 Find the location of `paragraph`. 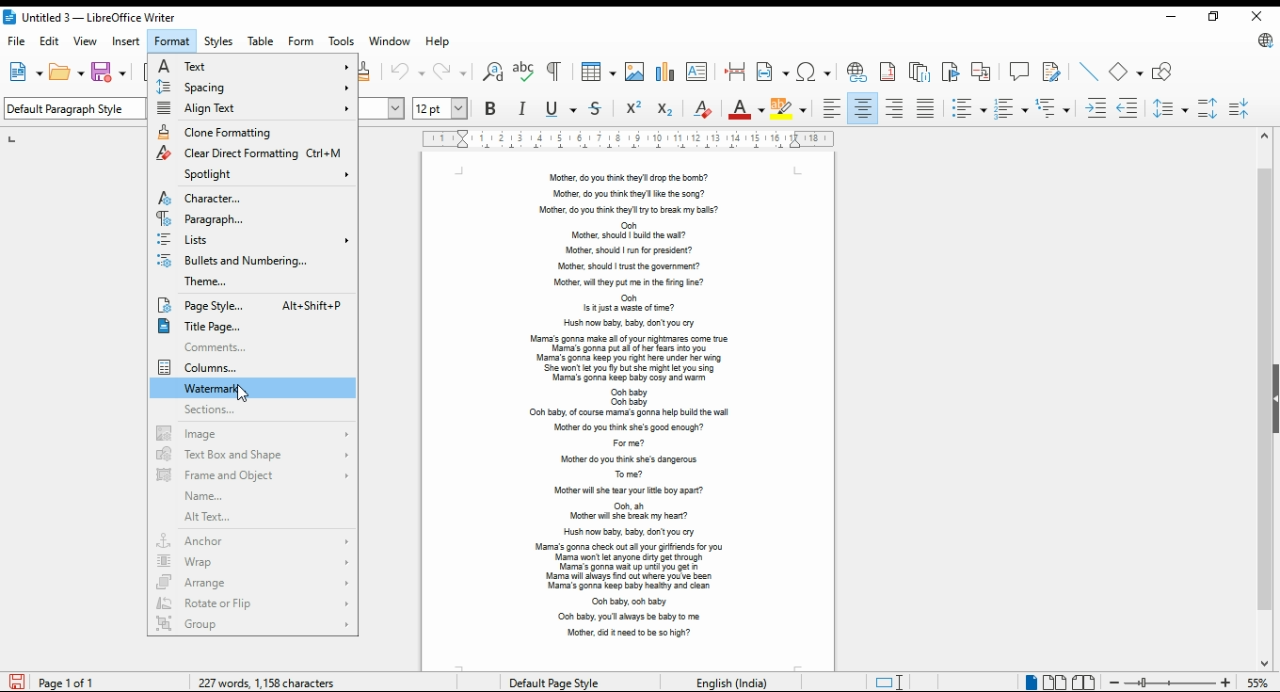

paragraph is located at coordinates (250, 220).